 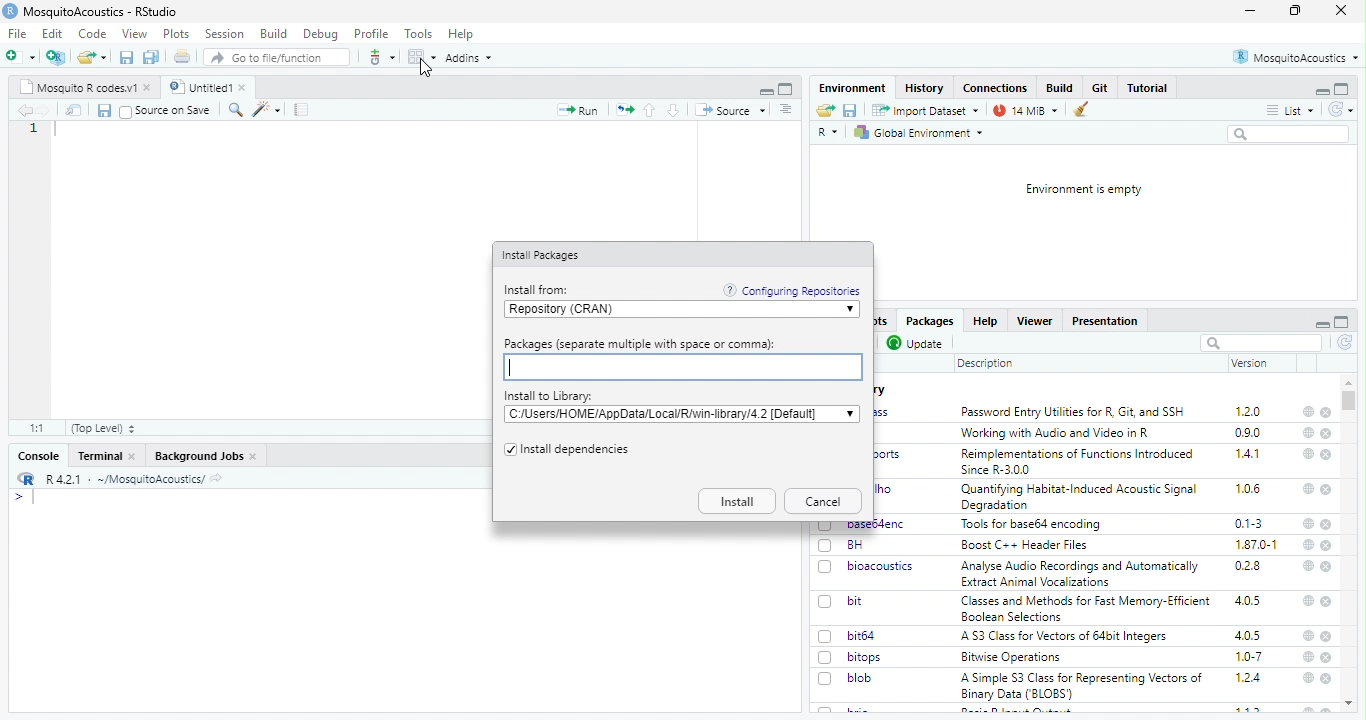 What do you see at coordinates (1062, 87) in the screenshot?
I see `` at bounding box center [1062, 87].